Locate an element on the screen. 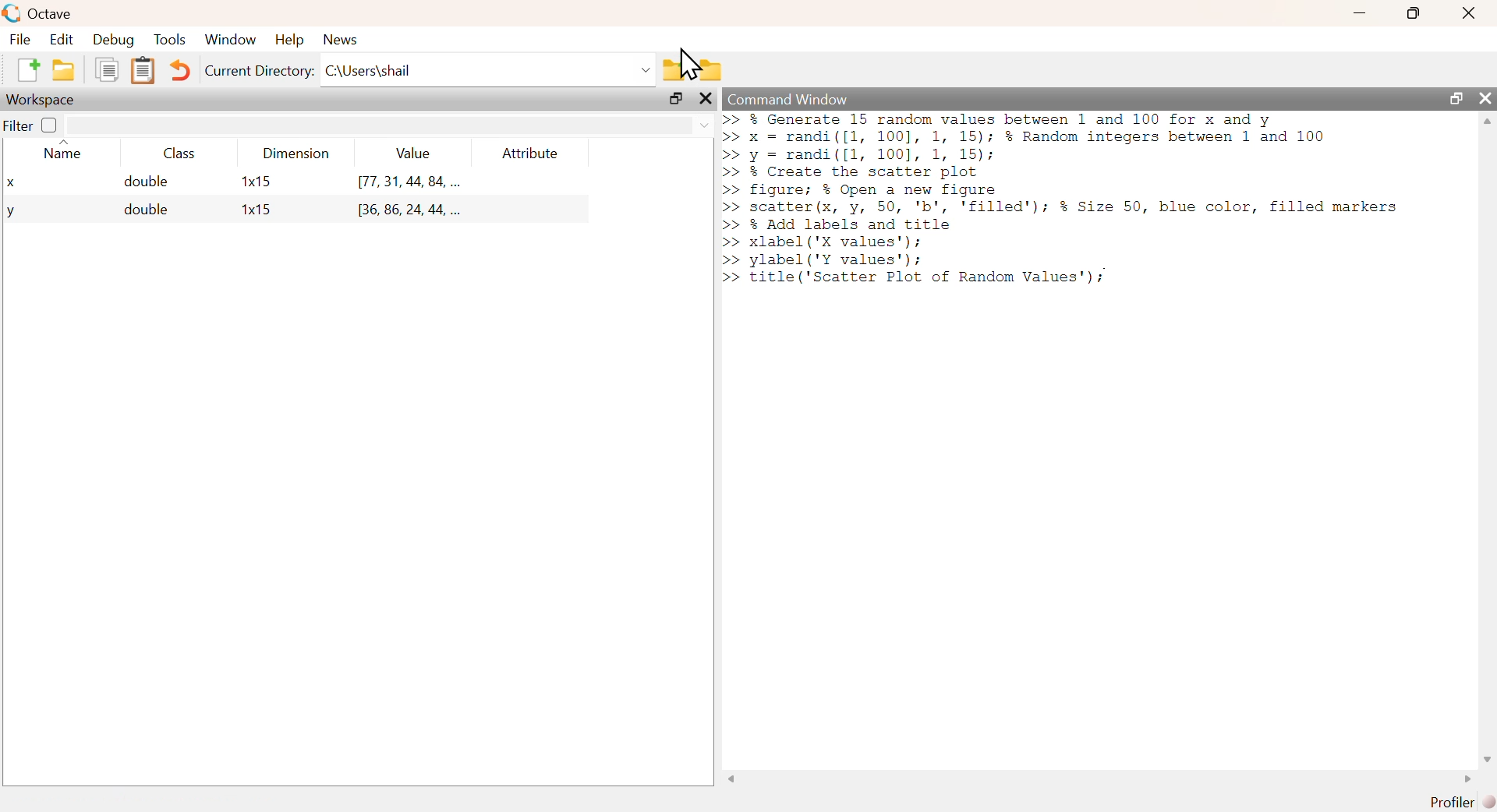 This screenshot has height=812, width=1497. y is located at coordinates (12, 212).